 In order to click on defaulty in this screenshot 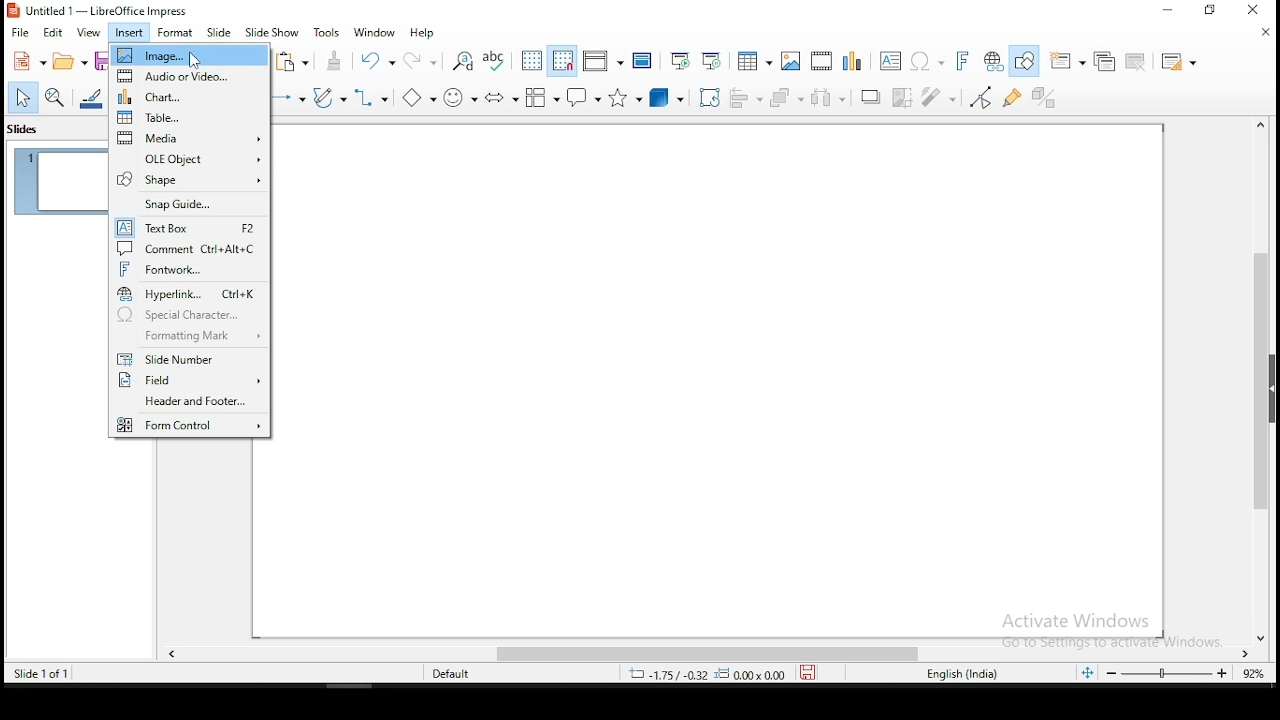, I will do `click(437, 672)`.